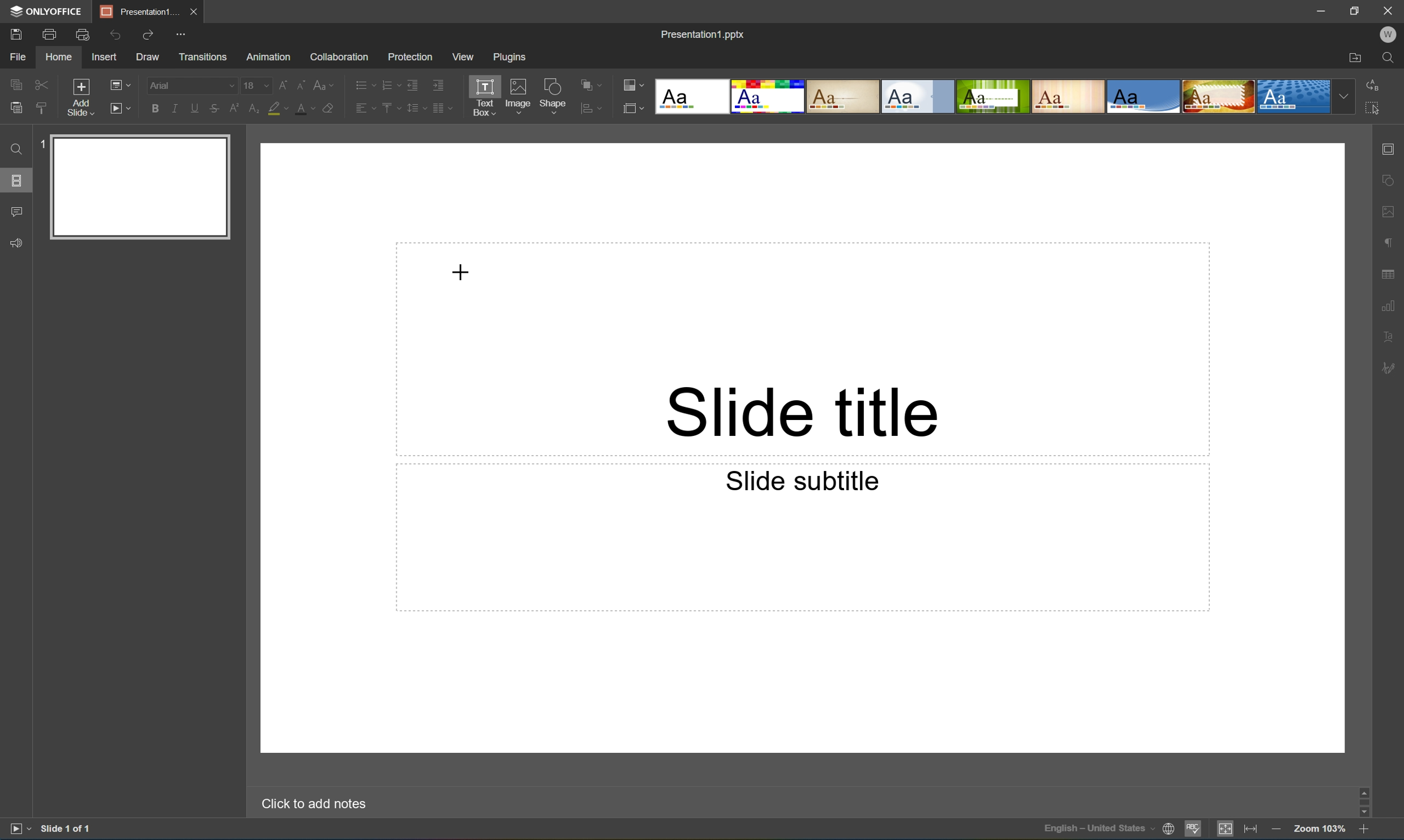 The height and width of the screenshot is (840, 1404). Describe the element at coordinates (1389, 336) in the screenshot. I see `Text Art settings` at that location.